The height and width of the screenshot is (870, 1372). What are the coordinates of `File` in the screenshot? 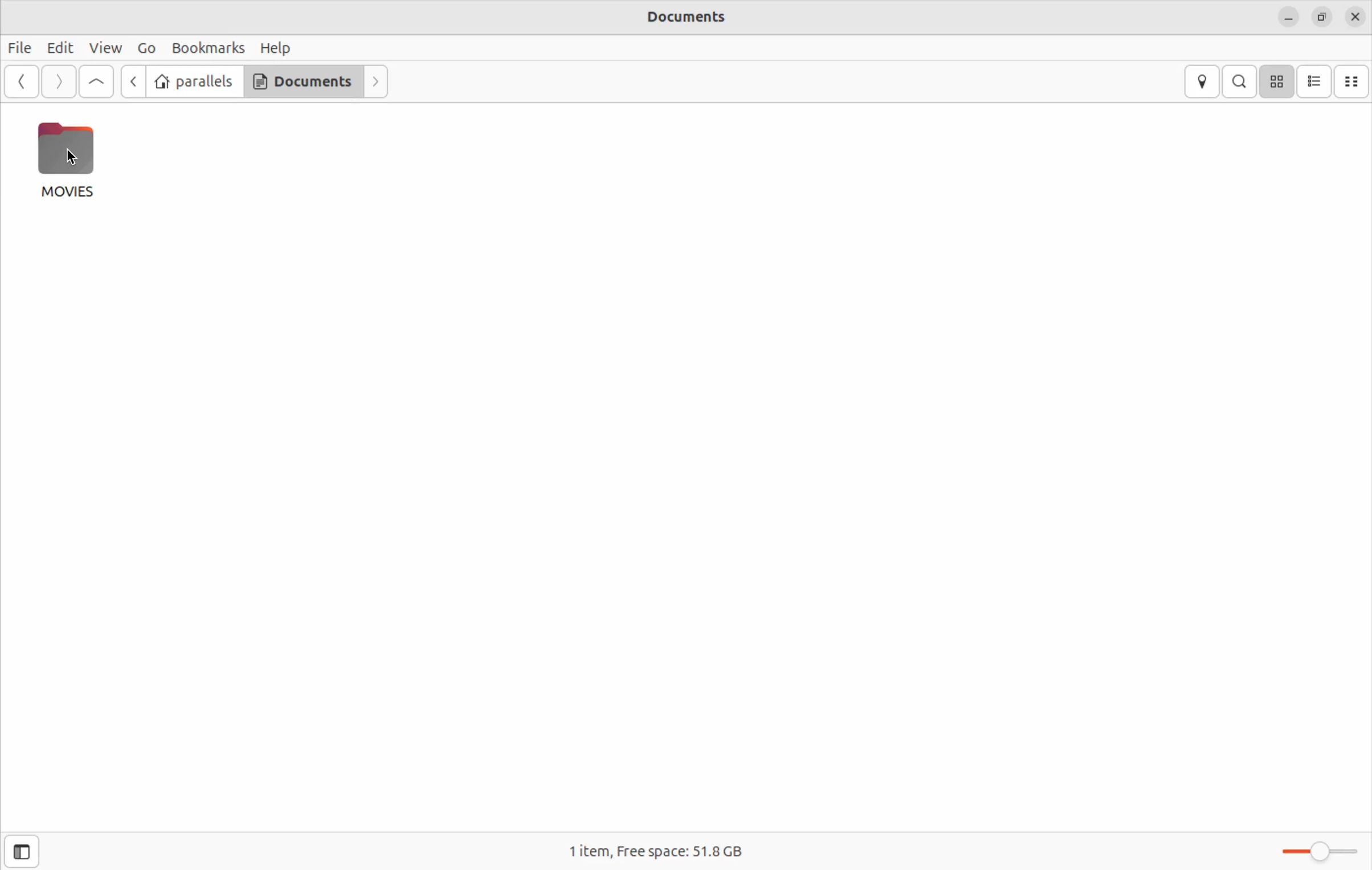 It's located at (20, 48).